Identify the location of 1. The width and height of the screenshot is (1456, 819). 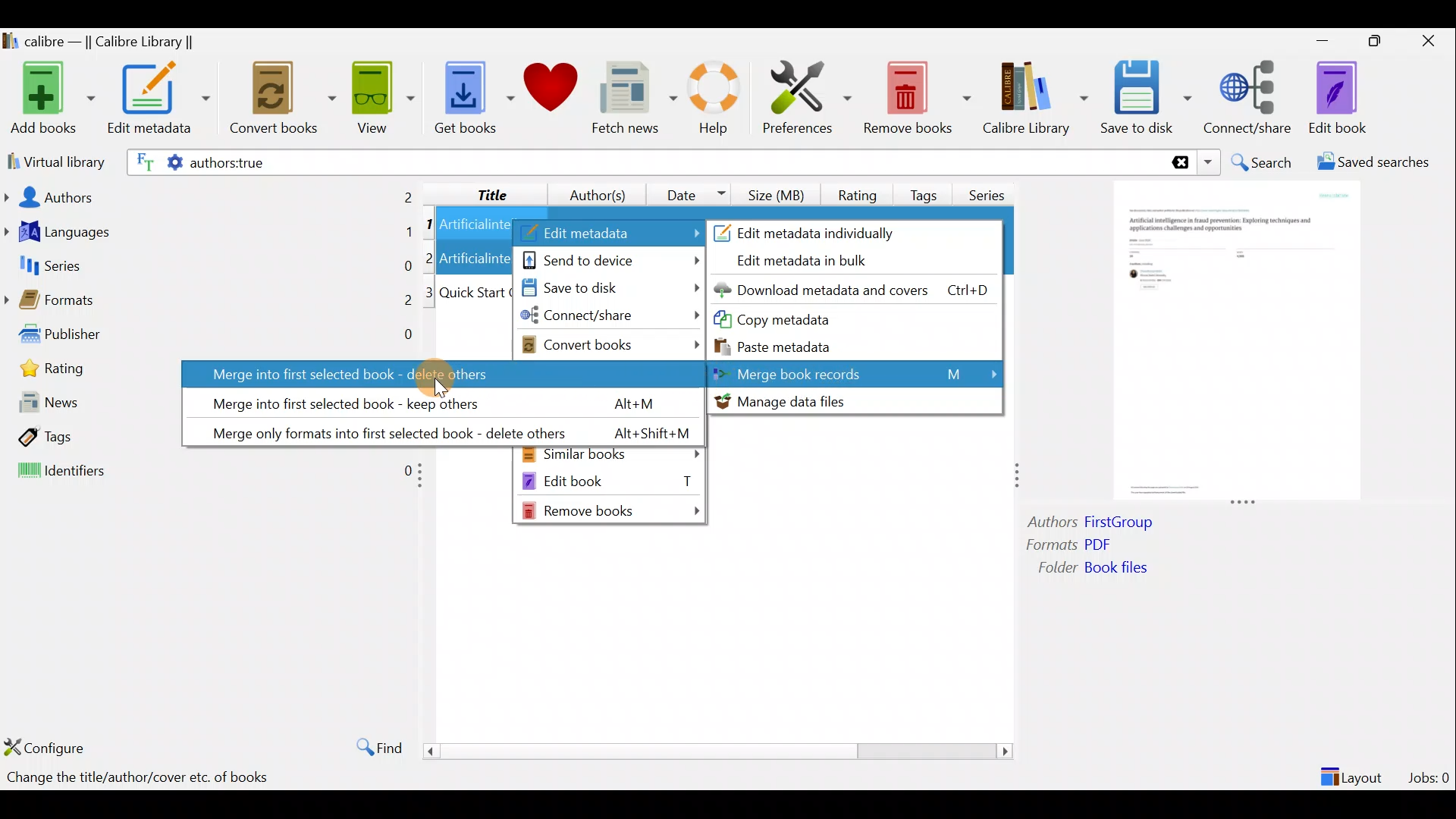
(429, 225).